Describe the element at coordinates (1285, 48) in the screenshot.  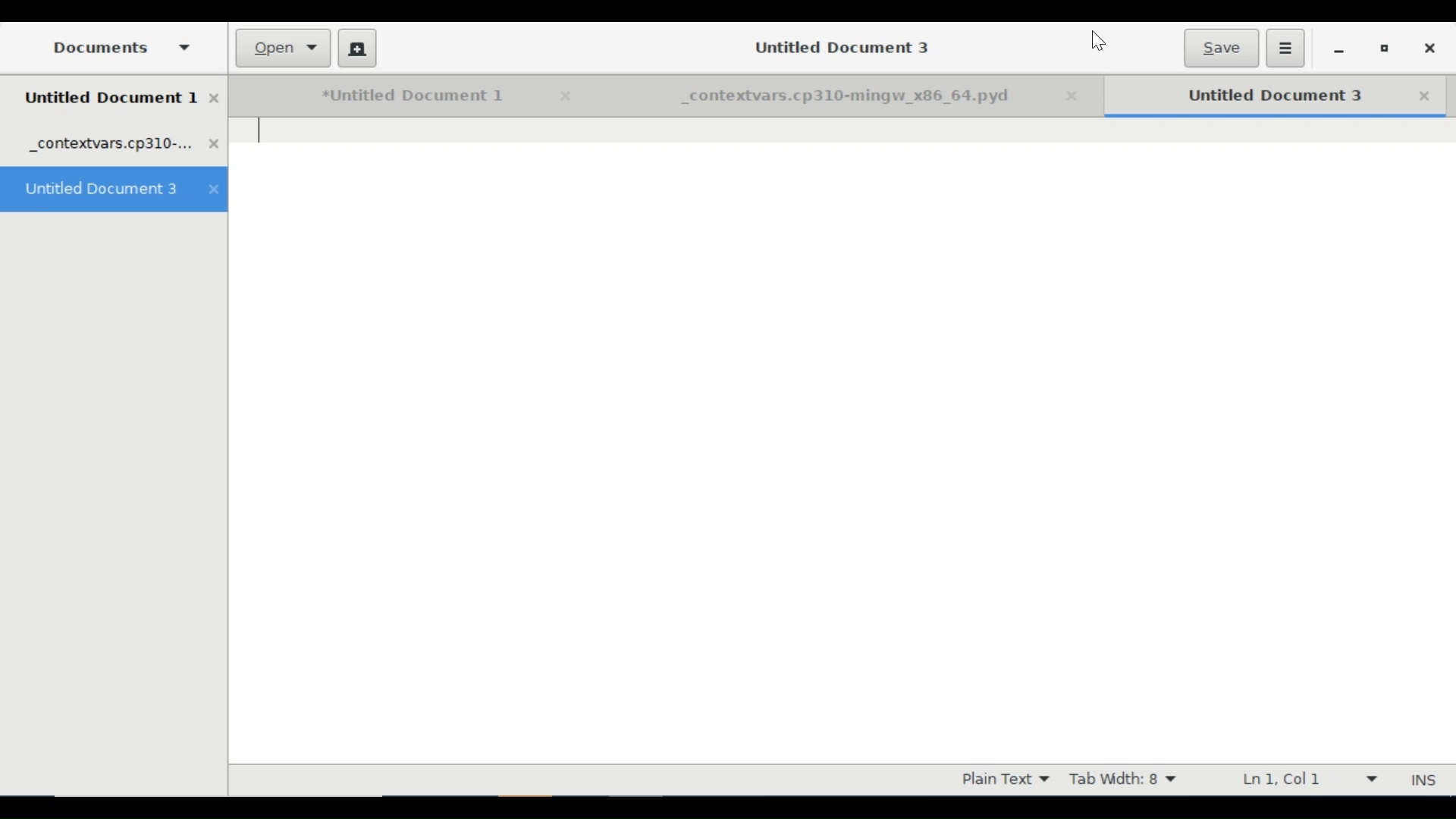
I see `Application menu` at that location.